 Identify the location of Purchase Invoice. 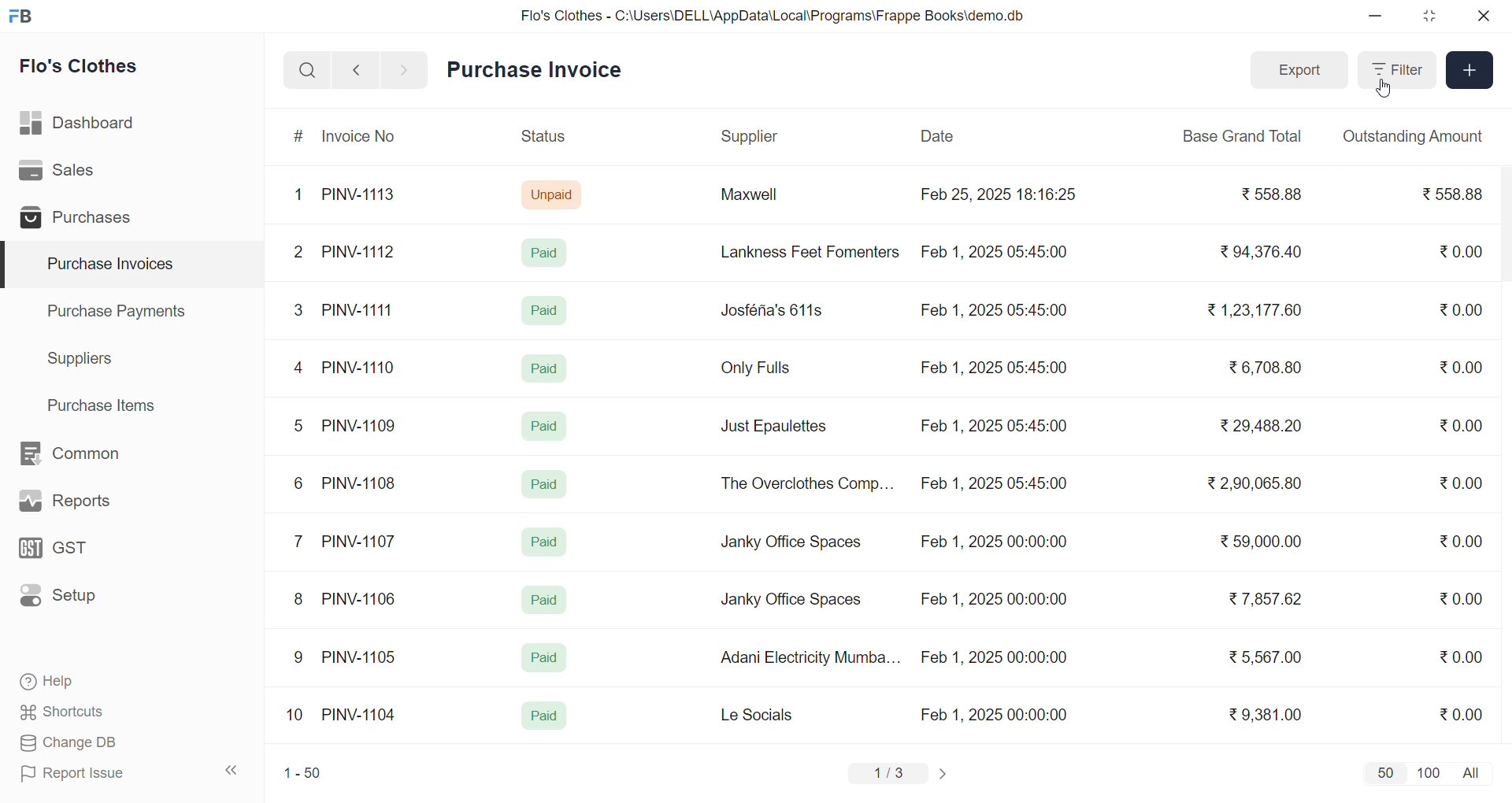
(539, 70).